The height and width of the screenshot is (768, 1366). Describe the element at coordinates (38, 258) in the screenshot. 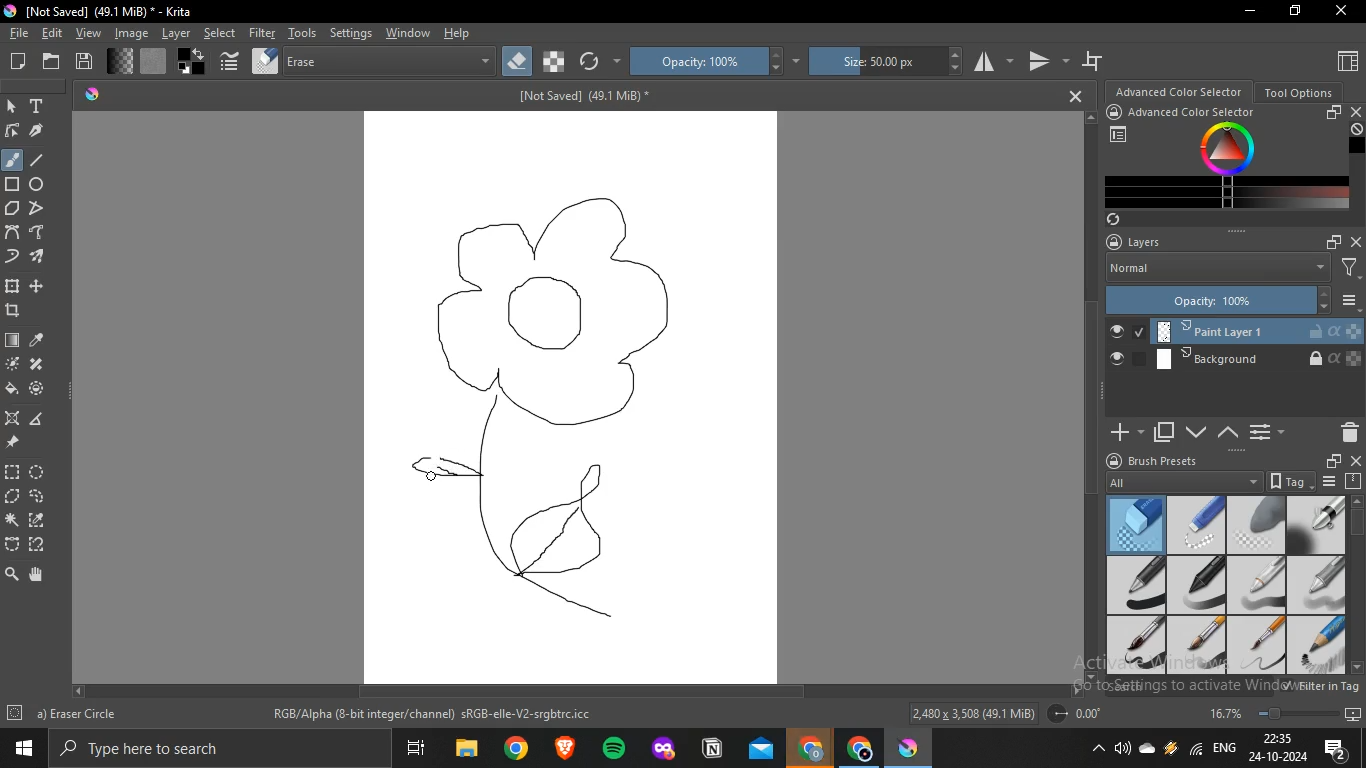

I see `multiple brush tool` at that location.